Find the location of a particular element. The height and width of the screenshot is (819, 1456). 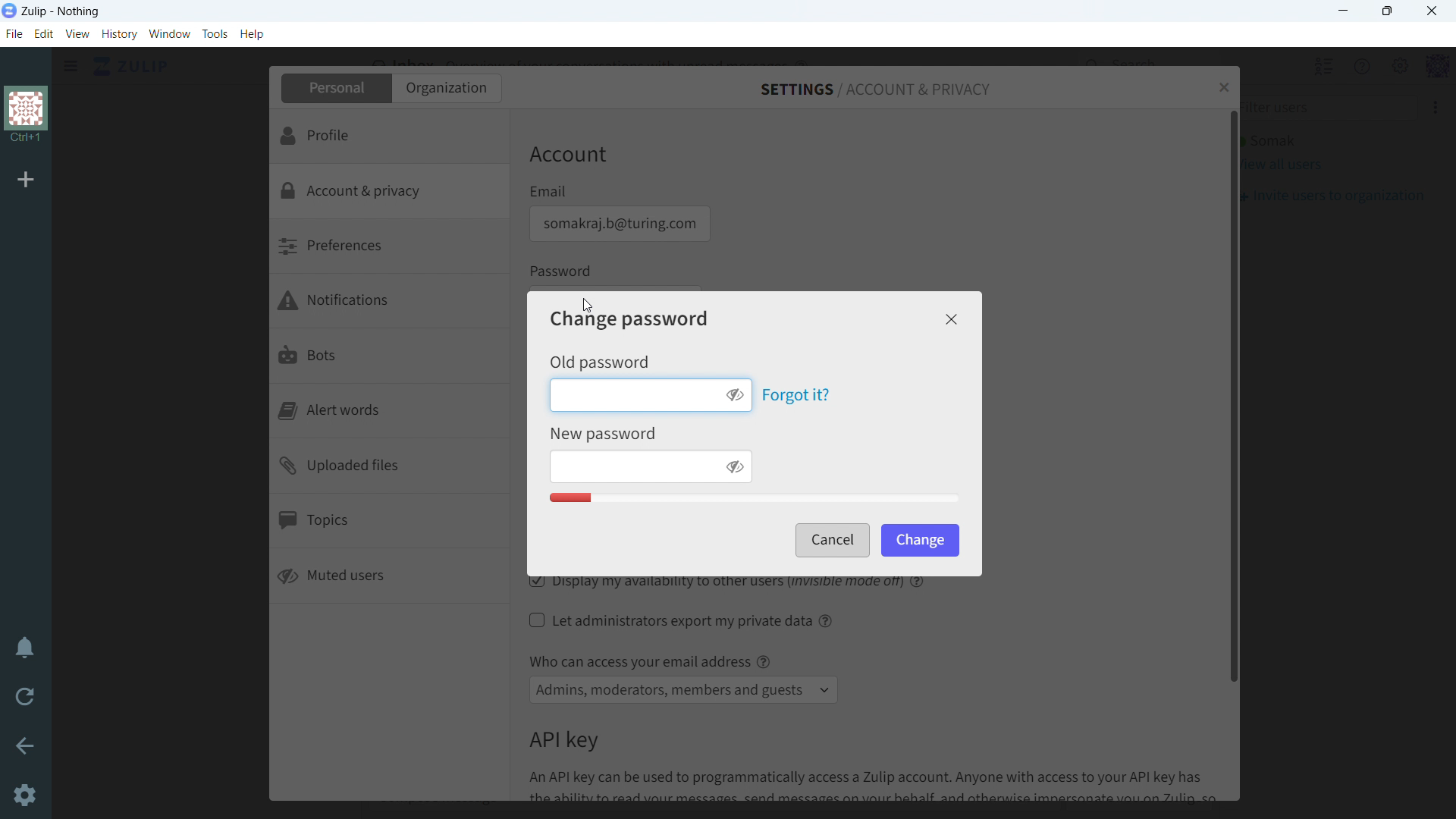

select access to email address is located at coordinates (684, 690).